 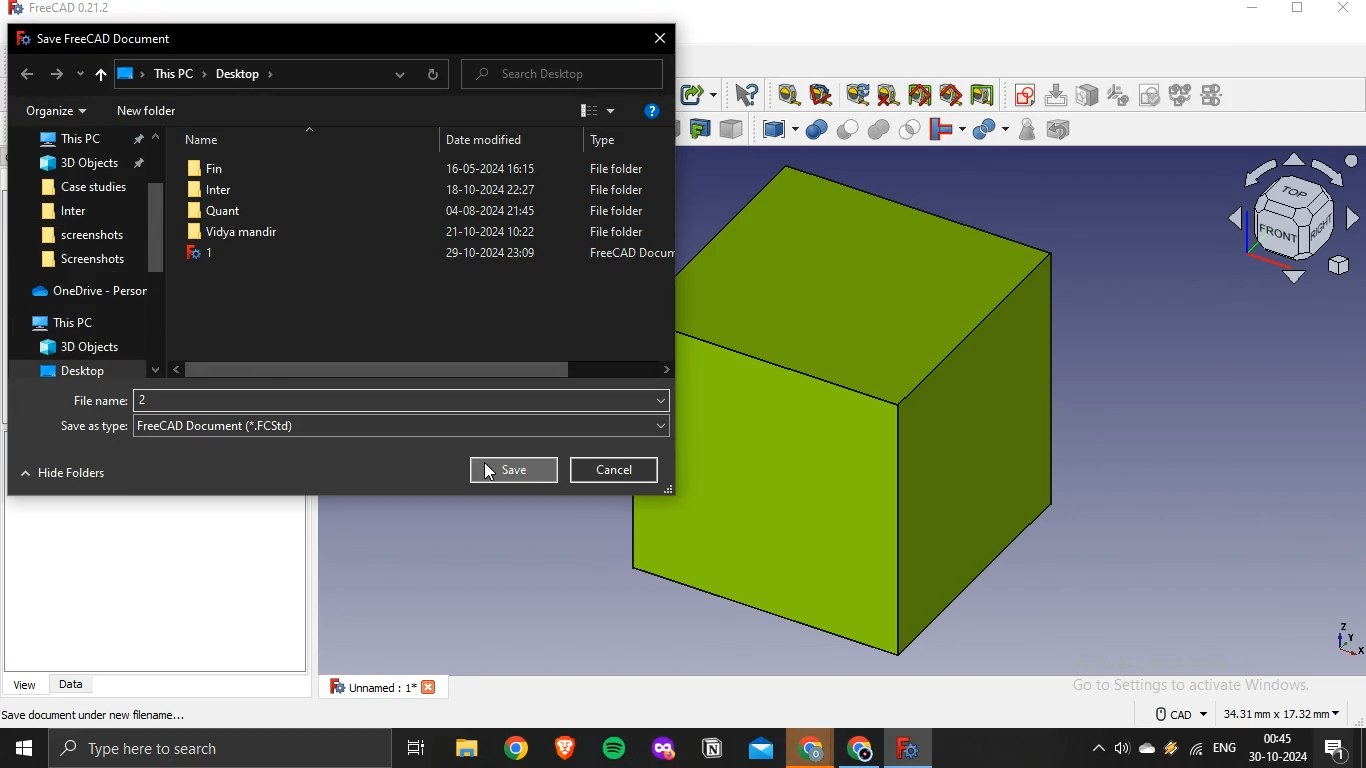 What do you see at coordinates (1120, 94) in the screenshot?
I see `icon` at bounding box center [1120, 94].